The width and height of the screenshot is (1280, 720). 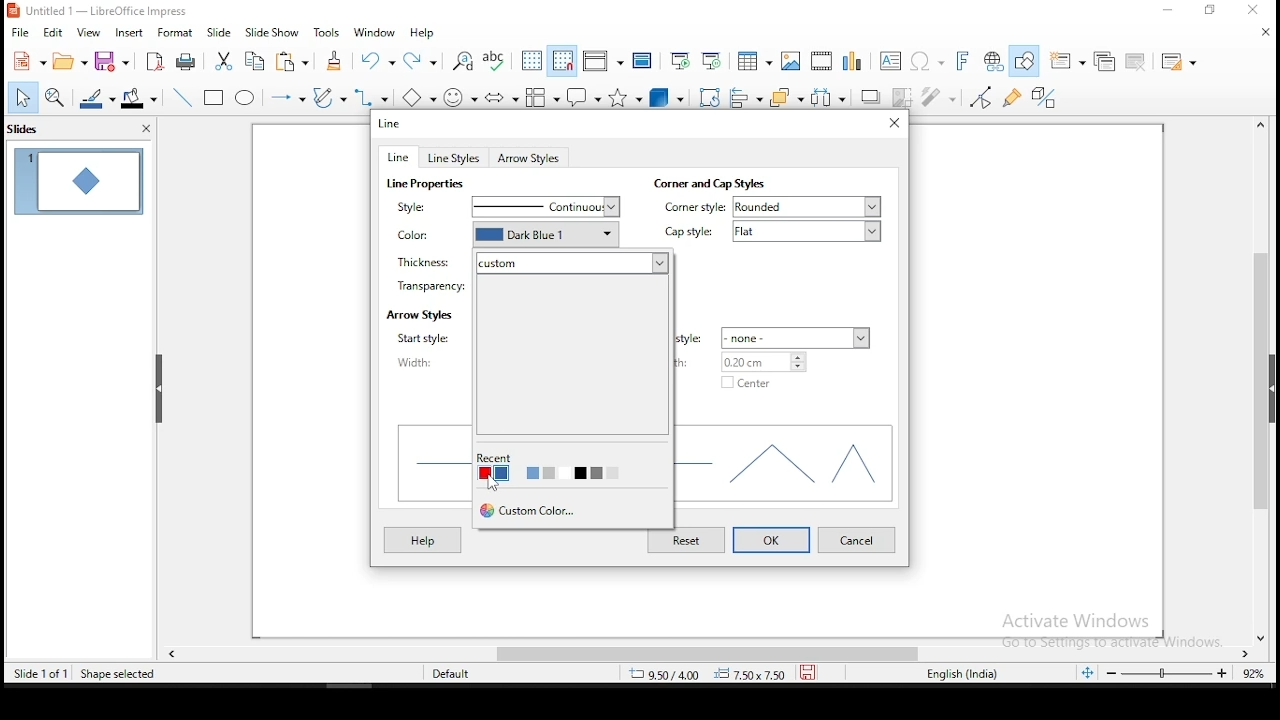 What do you see at coordinates (139, 99) in the screenshot?
I see `fill color` at bounding box center [139, 99].